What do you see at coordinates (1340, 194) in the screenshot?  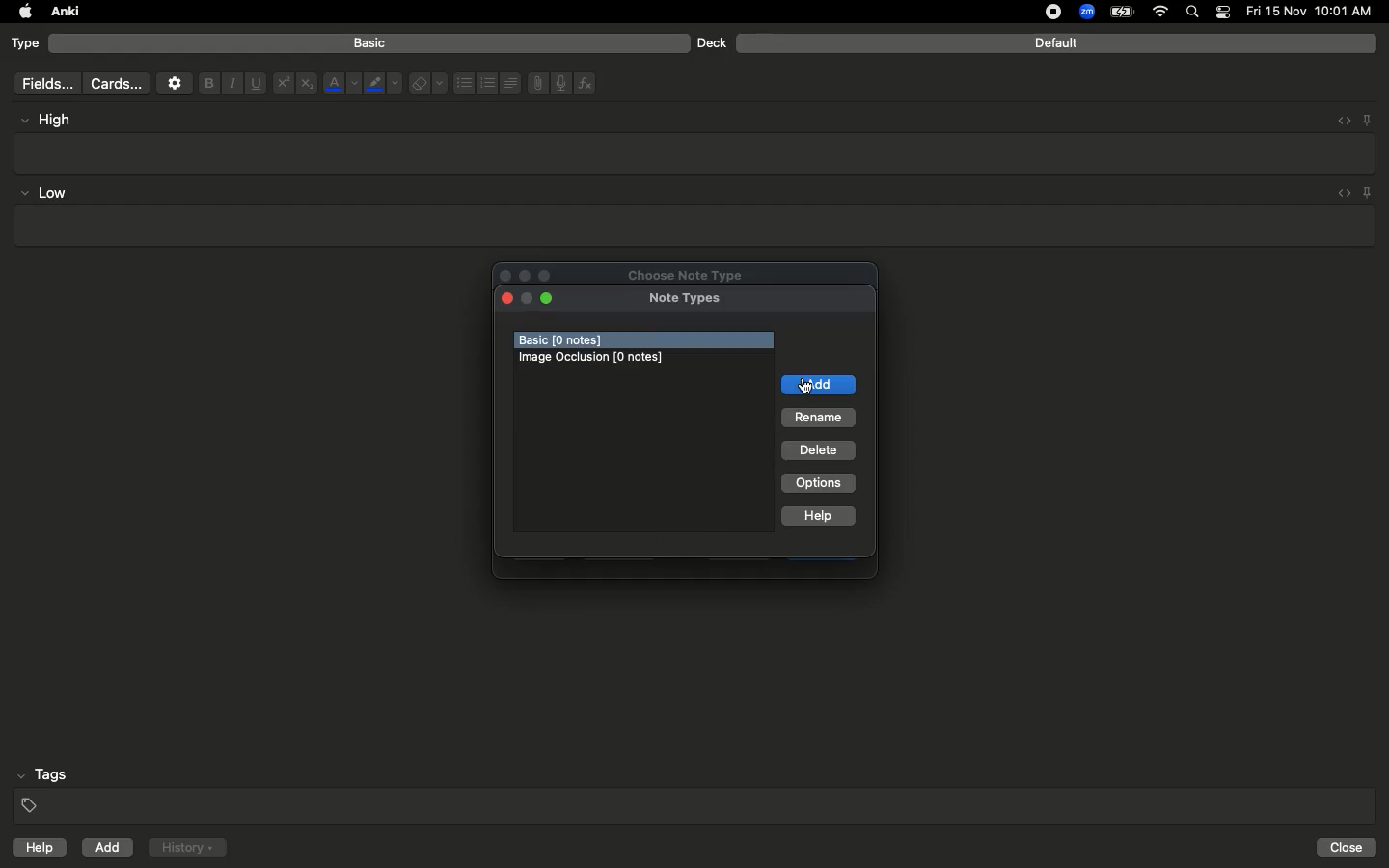 I see `Embed` at bounding box center [1340, 194].